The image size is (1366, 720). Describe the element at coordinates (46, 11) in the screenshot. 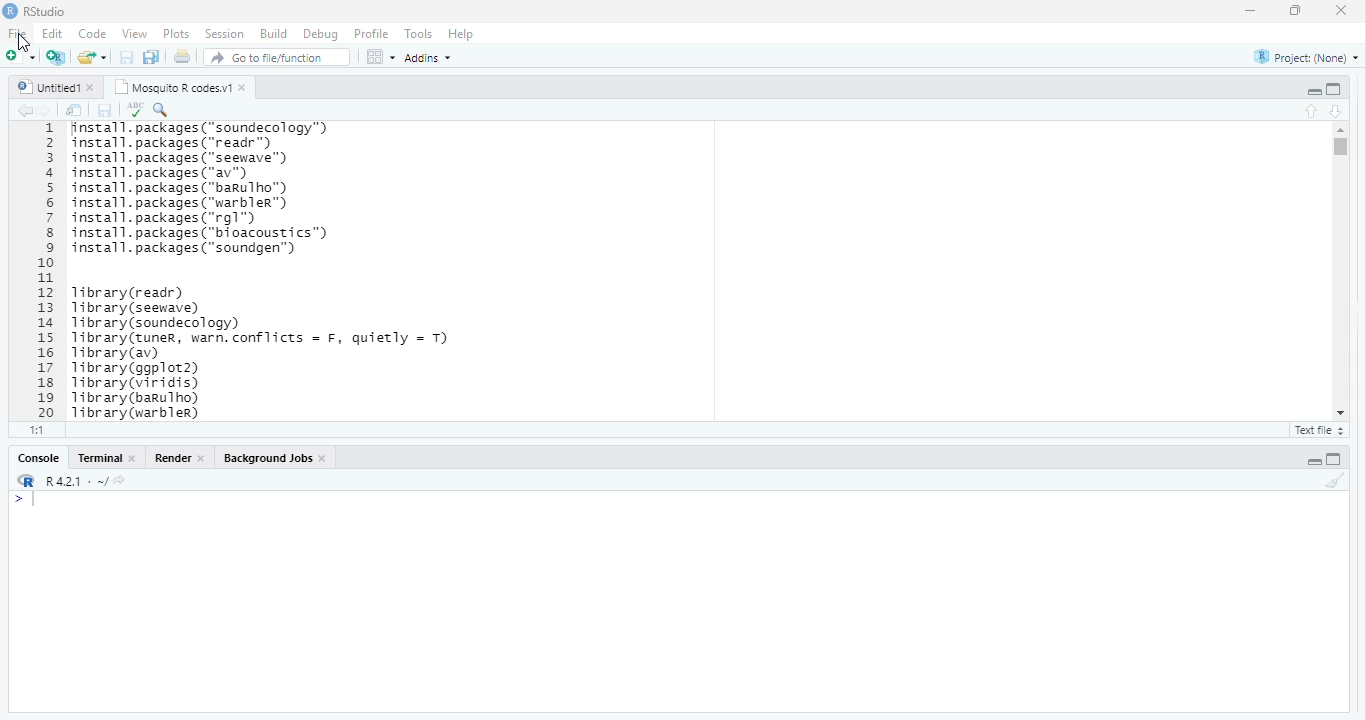

I see `RStudio` at that location.